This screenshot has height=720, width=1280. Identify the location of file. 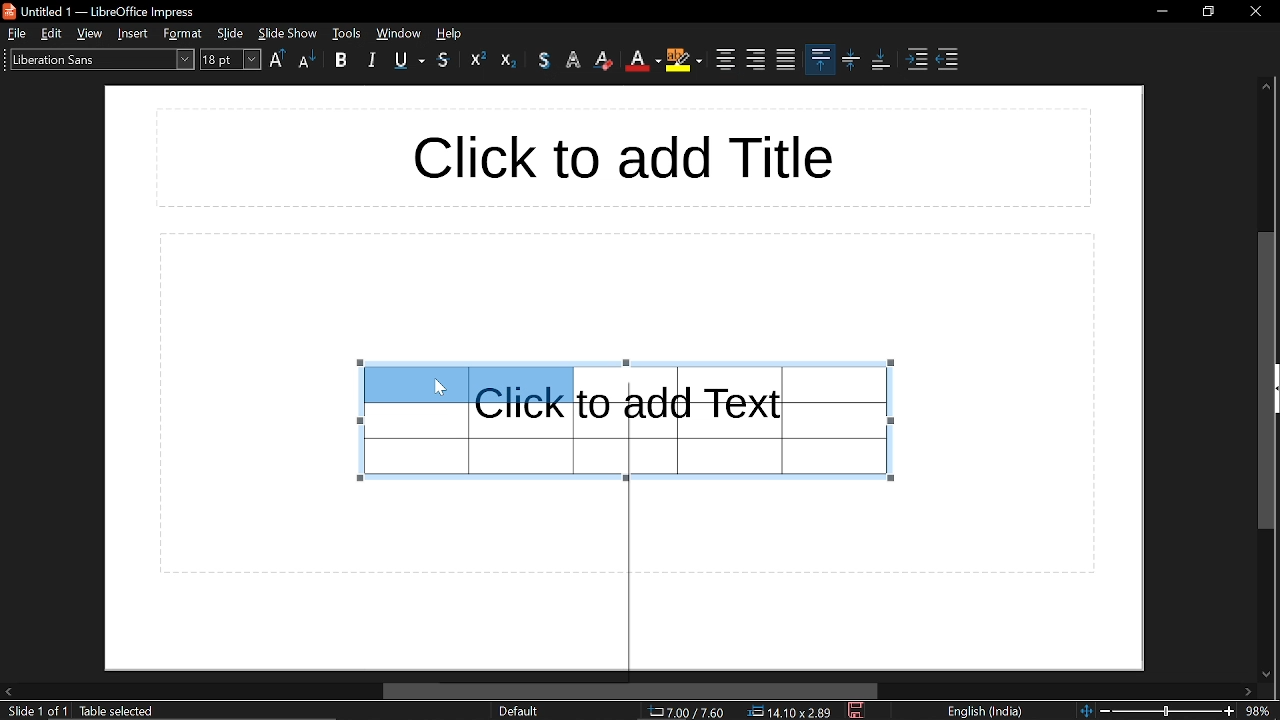
(15, 33).